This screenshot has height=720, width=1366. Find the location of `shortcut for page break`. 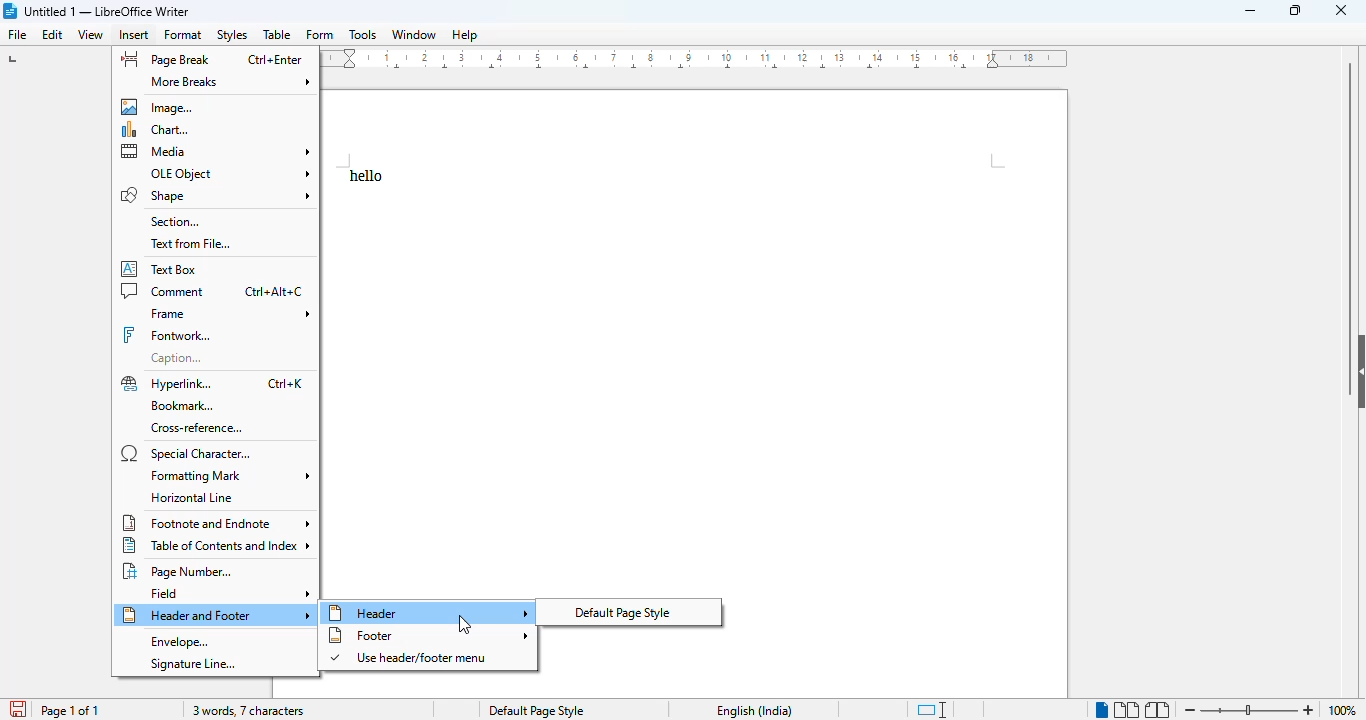

shortcut for page break is located at coordinates (277, 60).